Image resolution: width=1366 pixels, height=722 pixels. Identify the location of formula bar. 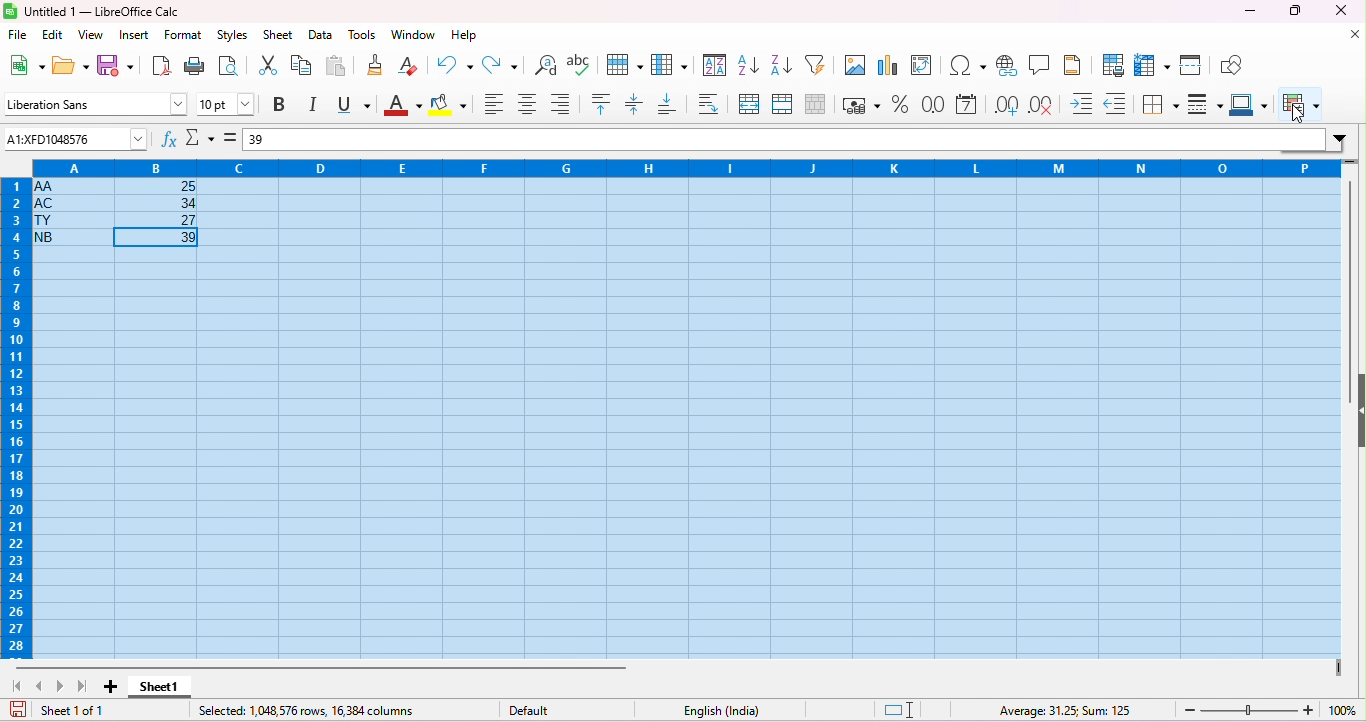
(797, 138).